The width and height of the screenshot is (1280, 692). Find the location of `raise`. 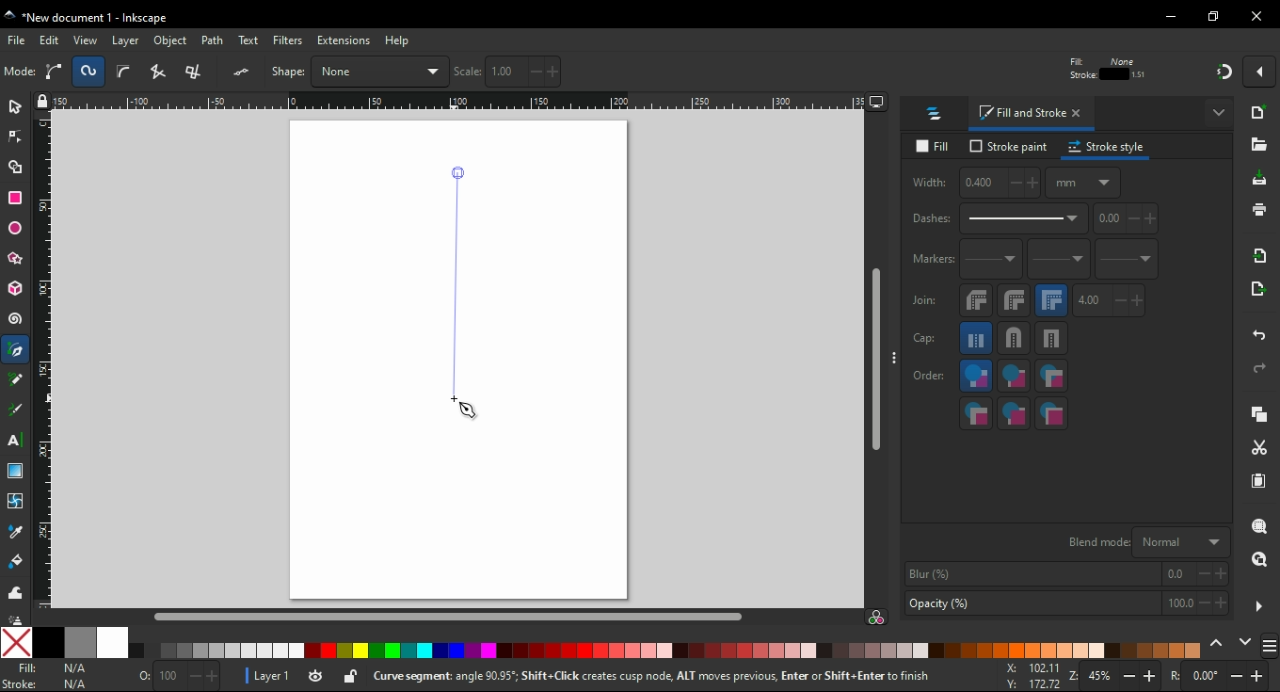

raise is located at coordinates (359, 71).